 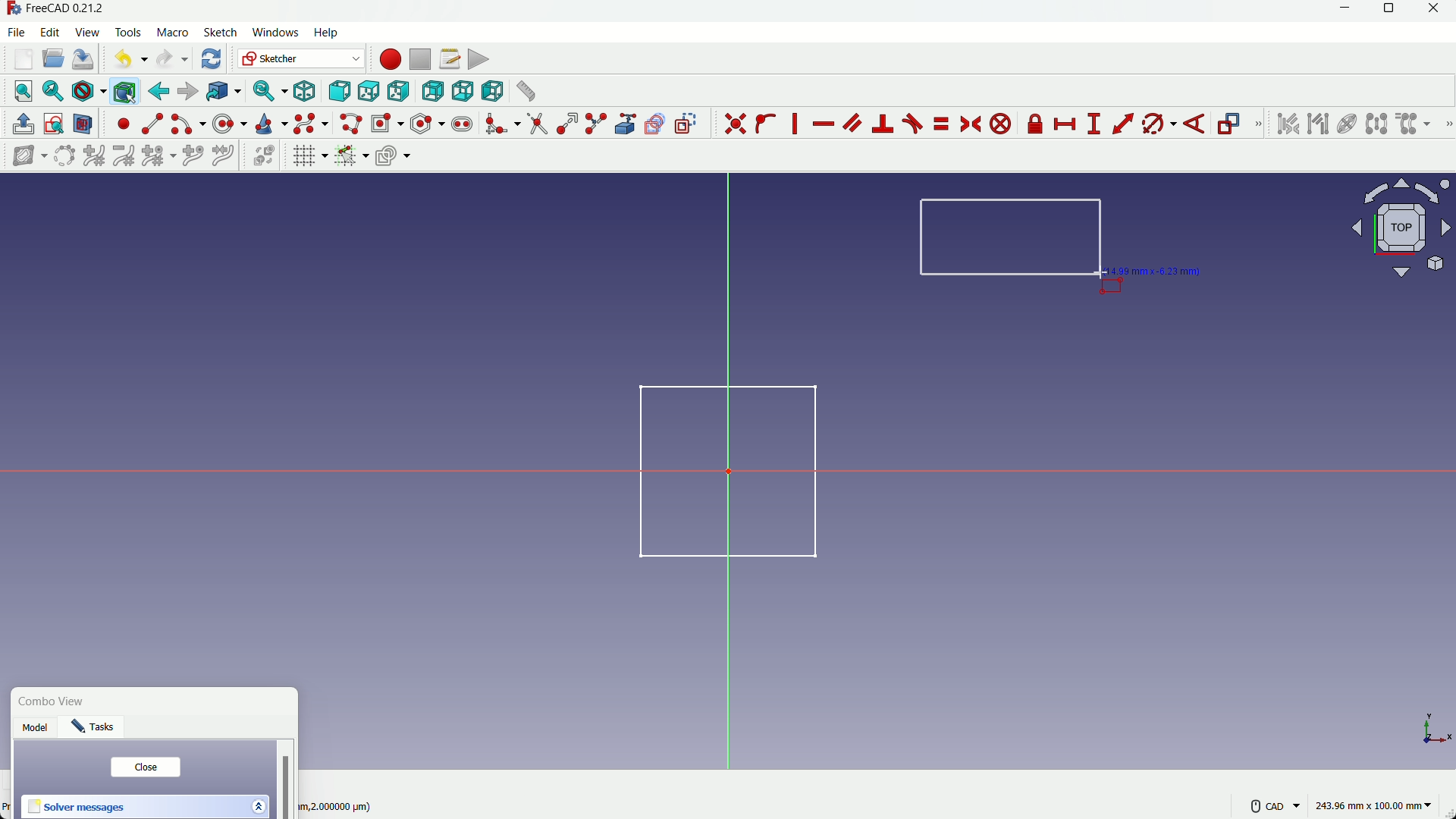 I want to click on new file, so click(x=24, y=59).